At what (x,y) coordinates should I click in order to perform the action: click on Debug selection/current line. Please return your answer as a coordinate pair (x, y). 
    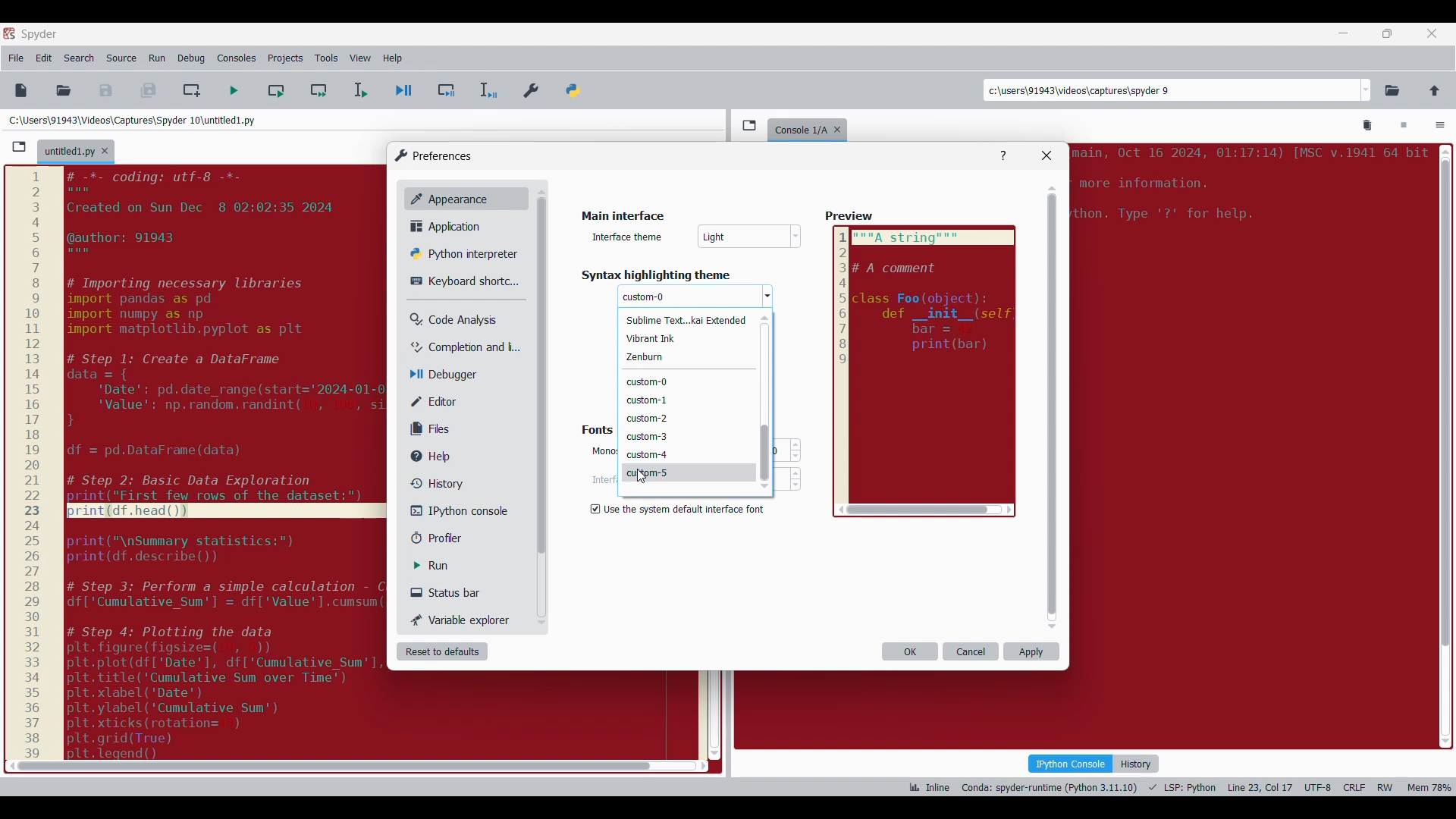
    Looking at the image, I should click on (487, 90).